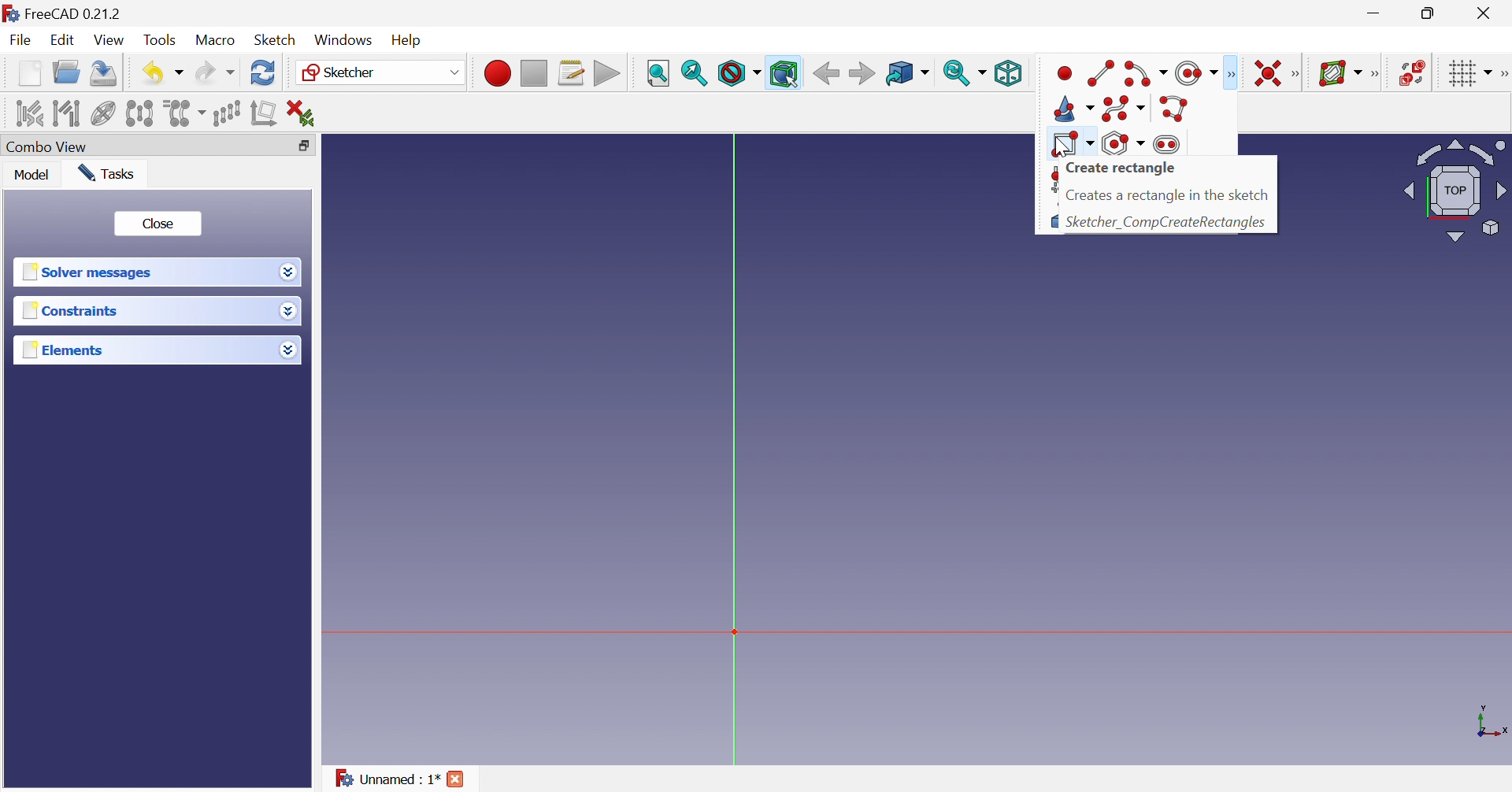 This screenshot has width=1512, height=792. What do you see at coordinates (343, 41) in the screenshot?
I see `Windows` at bounding box center [343, 41].